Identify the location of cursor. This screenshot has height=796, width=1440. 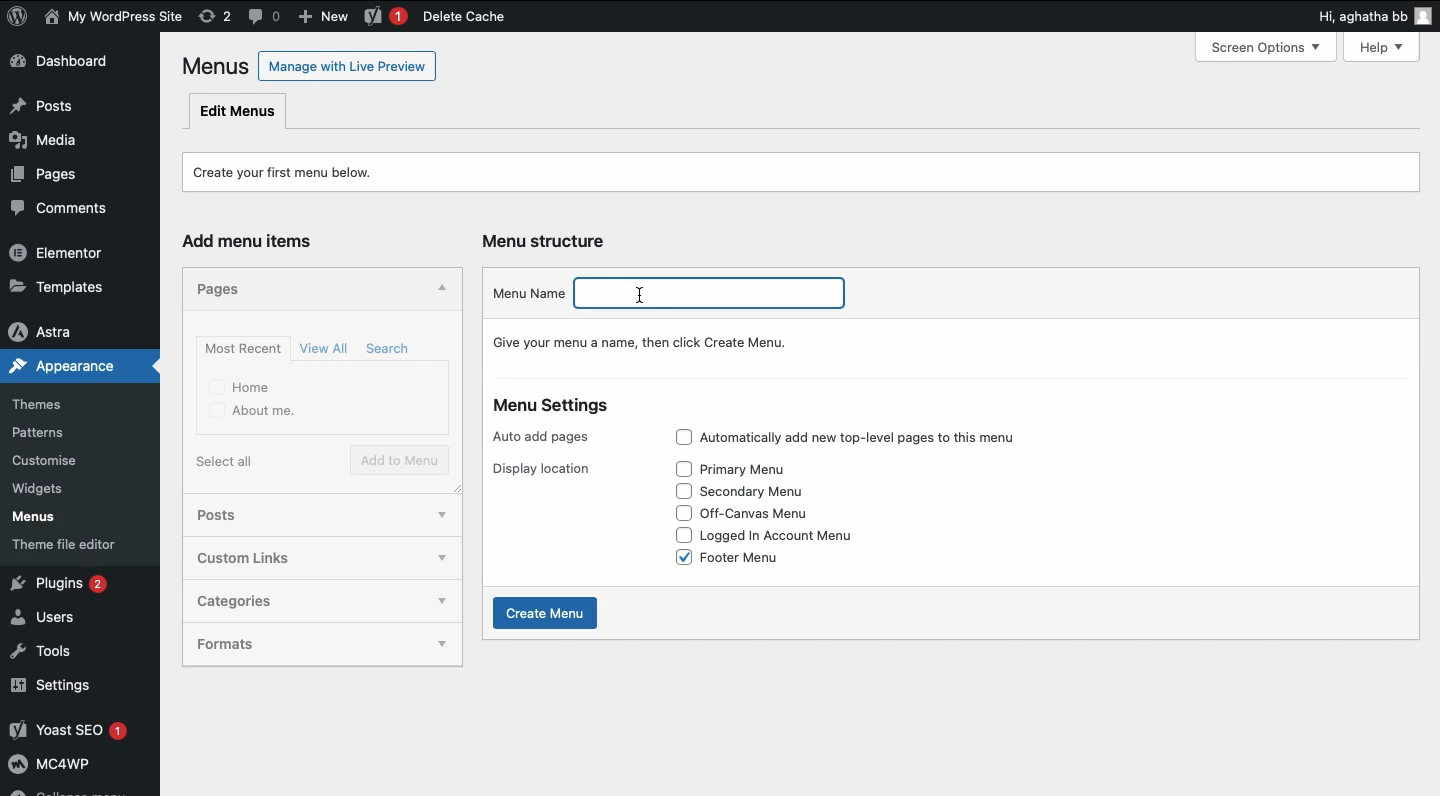
(643, 294).